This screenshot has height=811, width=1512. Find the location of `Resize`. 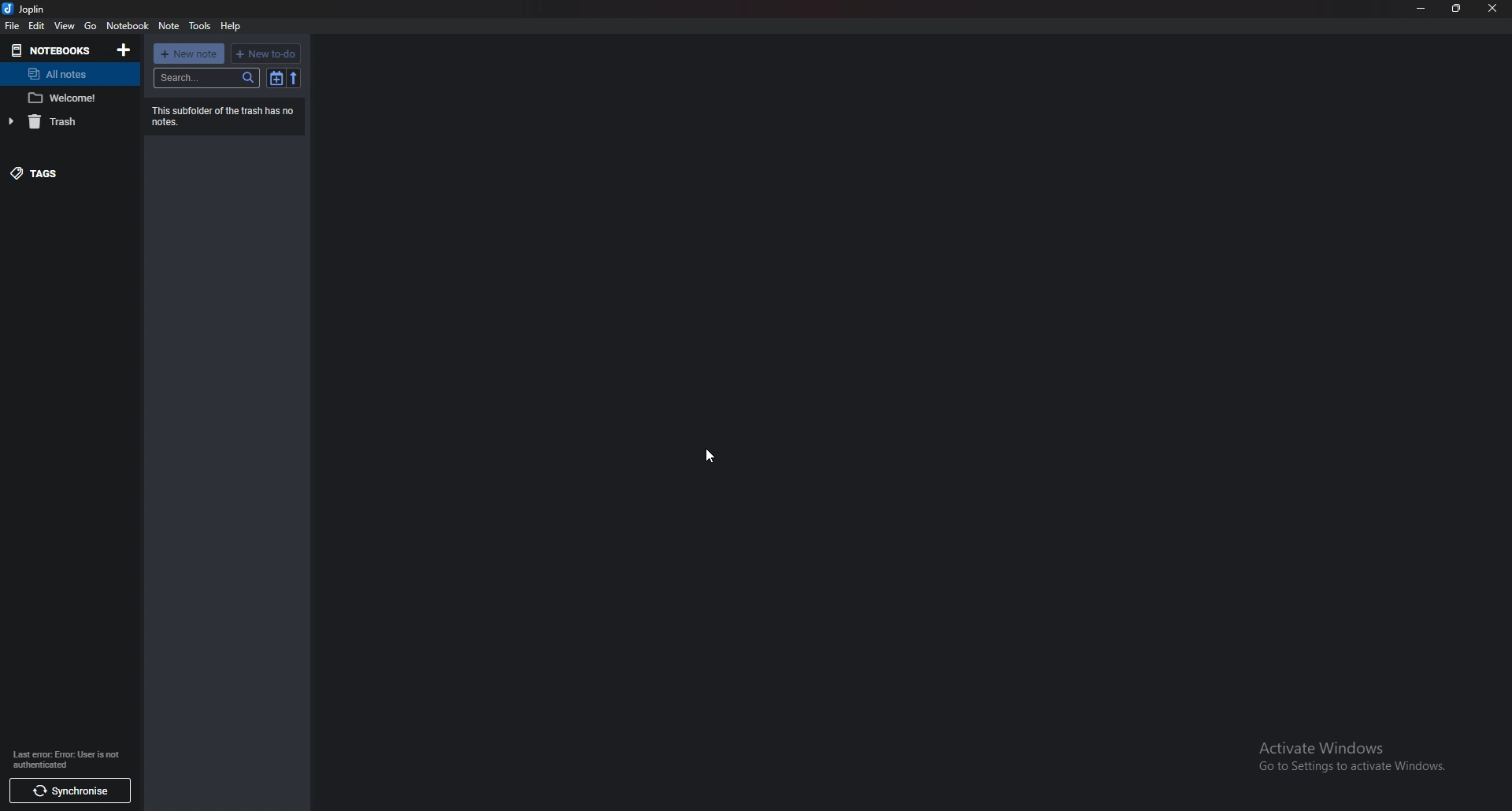

Resize is located at coordinates (1457, 9).